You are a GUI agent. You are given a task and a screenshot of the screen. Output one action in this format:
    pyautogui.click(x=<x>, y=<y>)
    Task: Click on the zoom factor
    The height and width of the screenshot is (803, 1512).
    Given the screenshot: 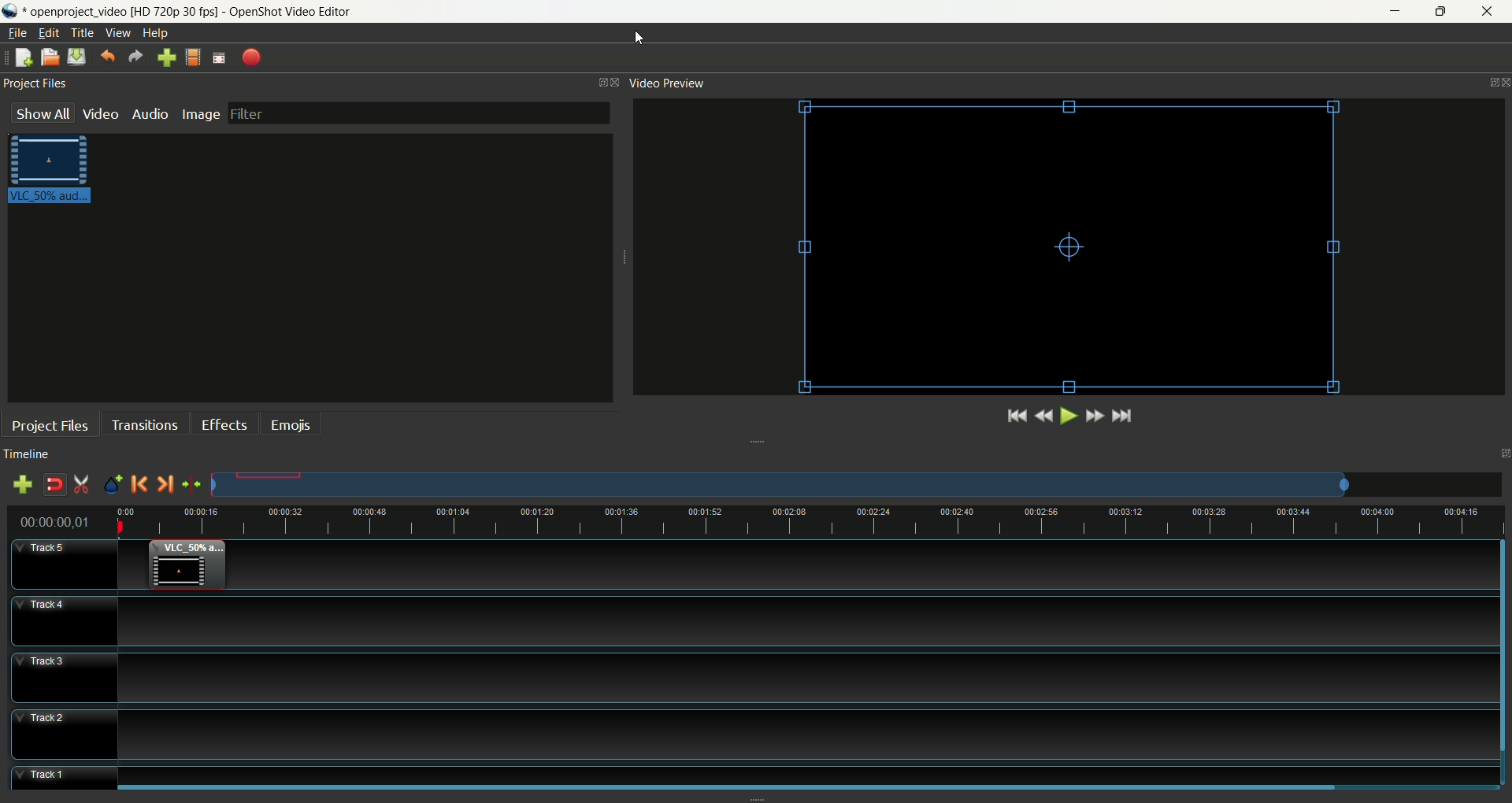 What is the action you would take?
    pyautogui.click(x=857, y=485)
    